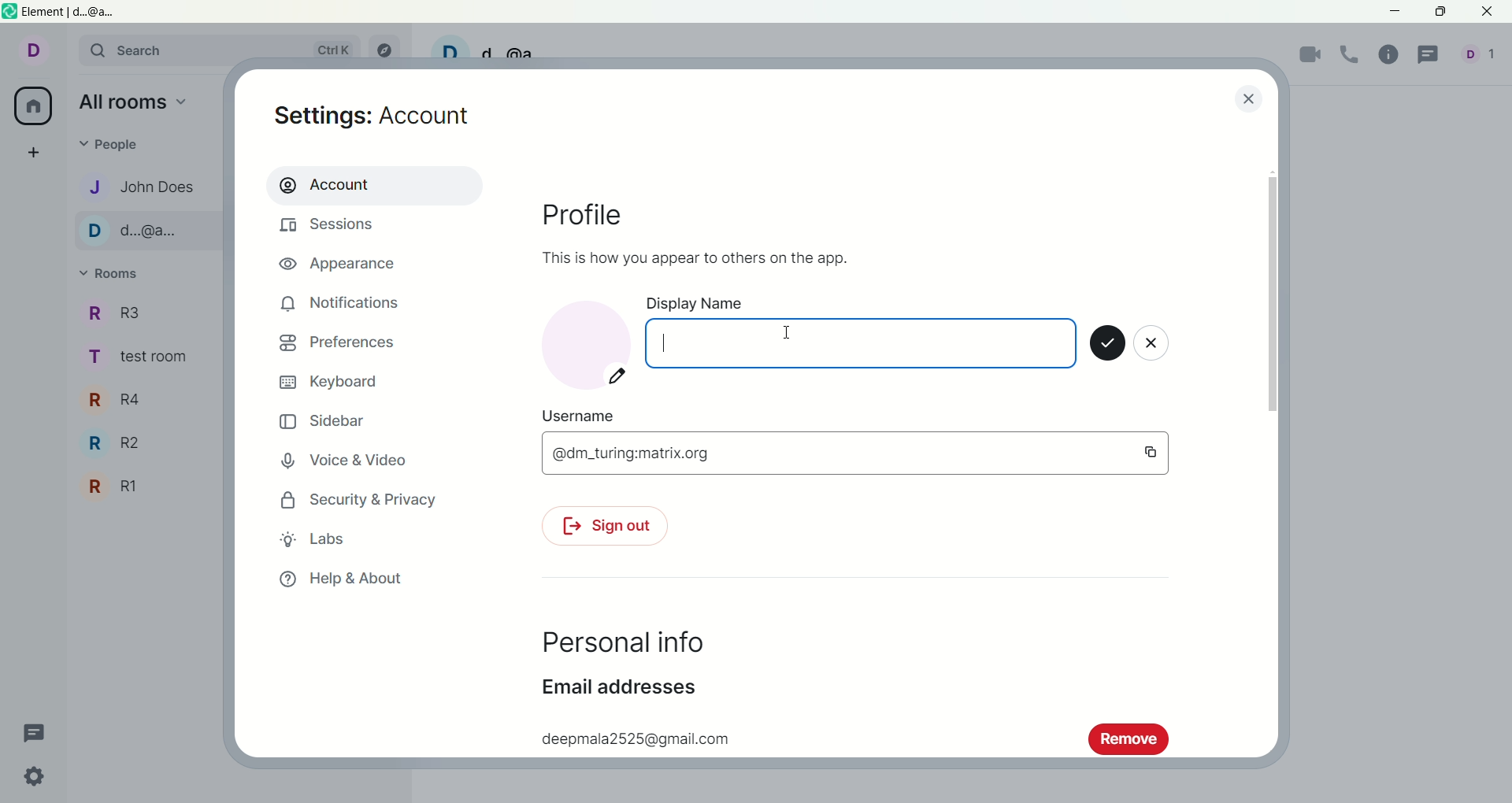 This screenshot has width=1512, height=803. Describe the element at coordinates (858, 331) in the screenshot. I see `display name` at that location.